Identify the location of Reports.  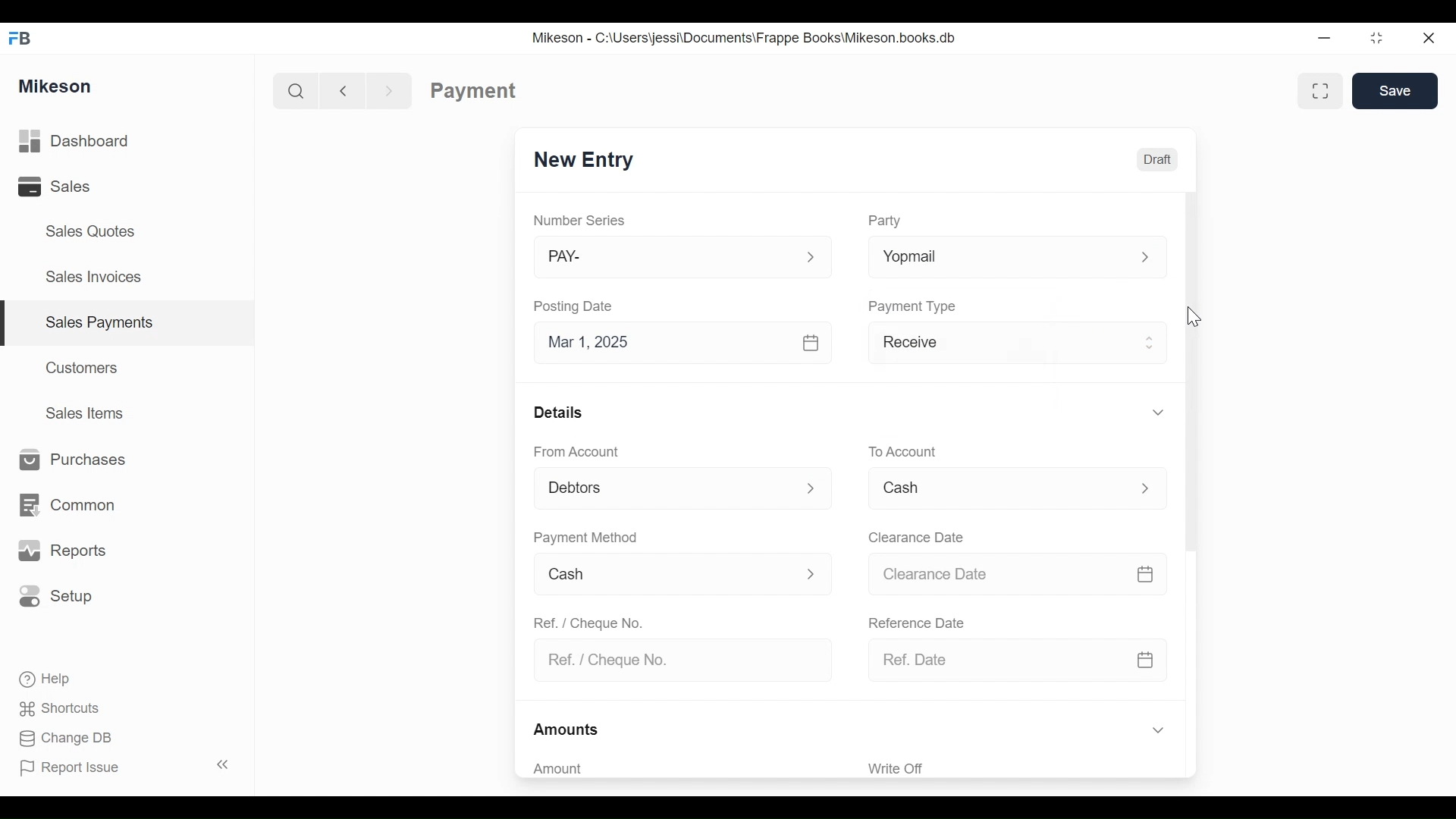
(65, 551).